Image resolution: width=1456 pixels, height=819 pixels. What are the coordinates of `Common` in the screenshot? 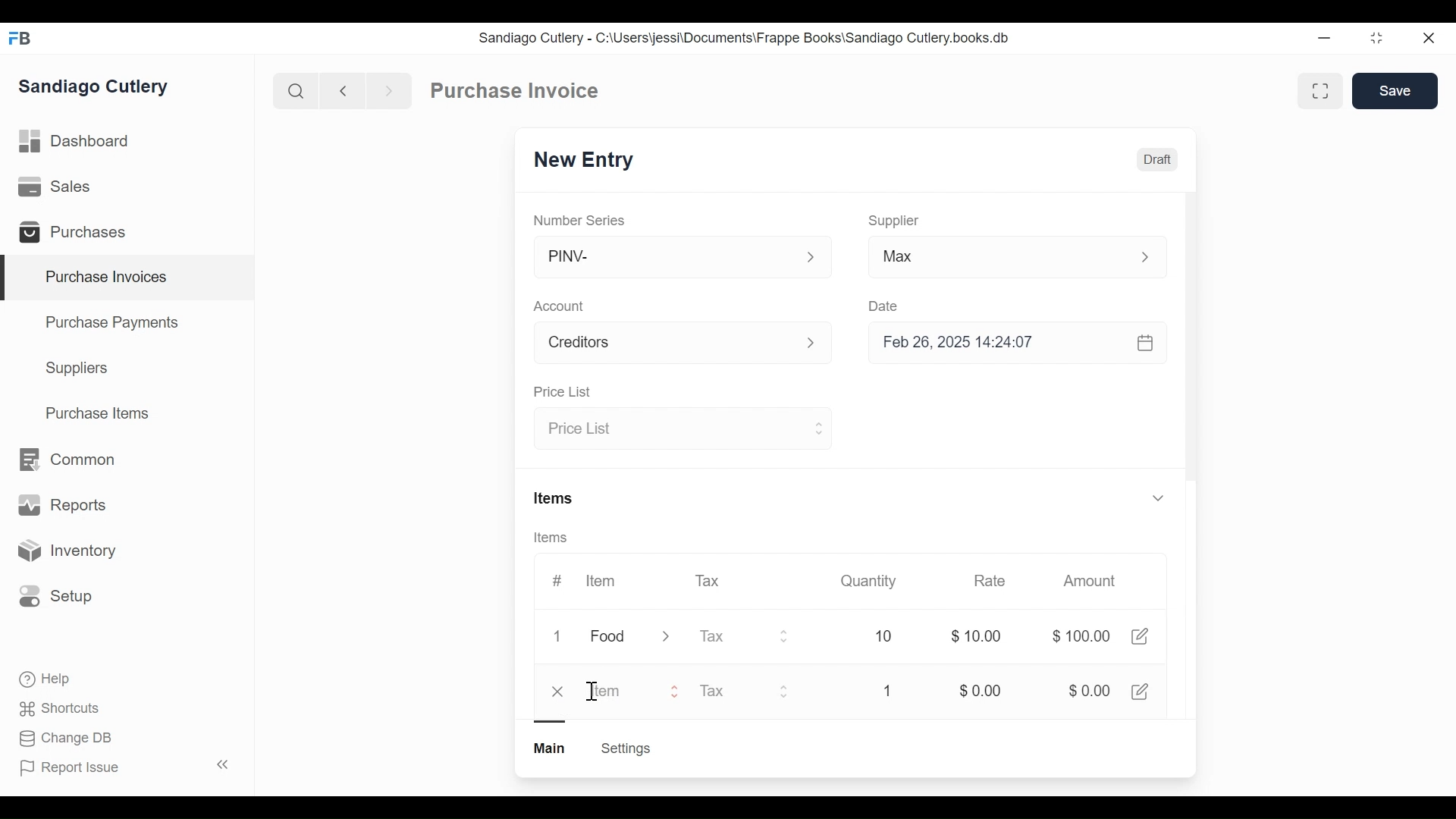 It's located at (65, 460).